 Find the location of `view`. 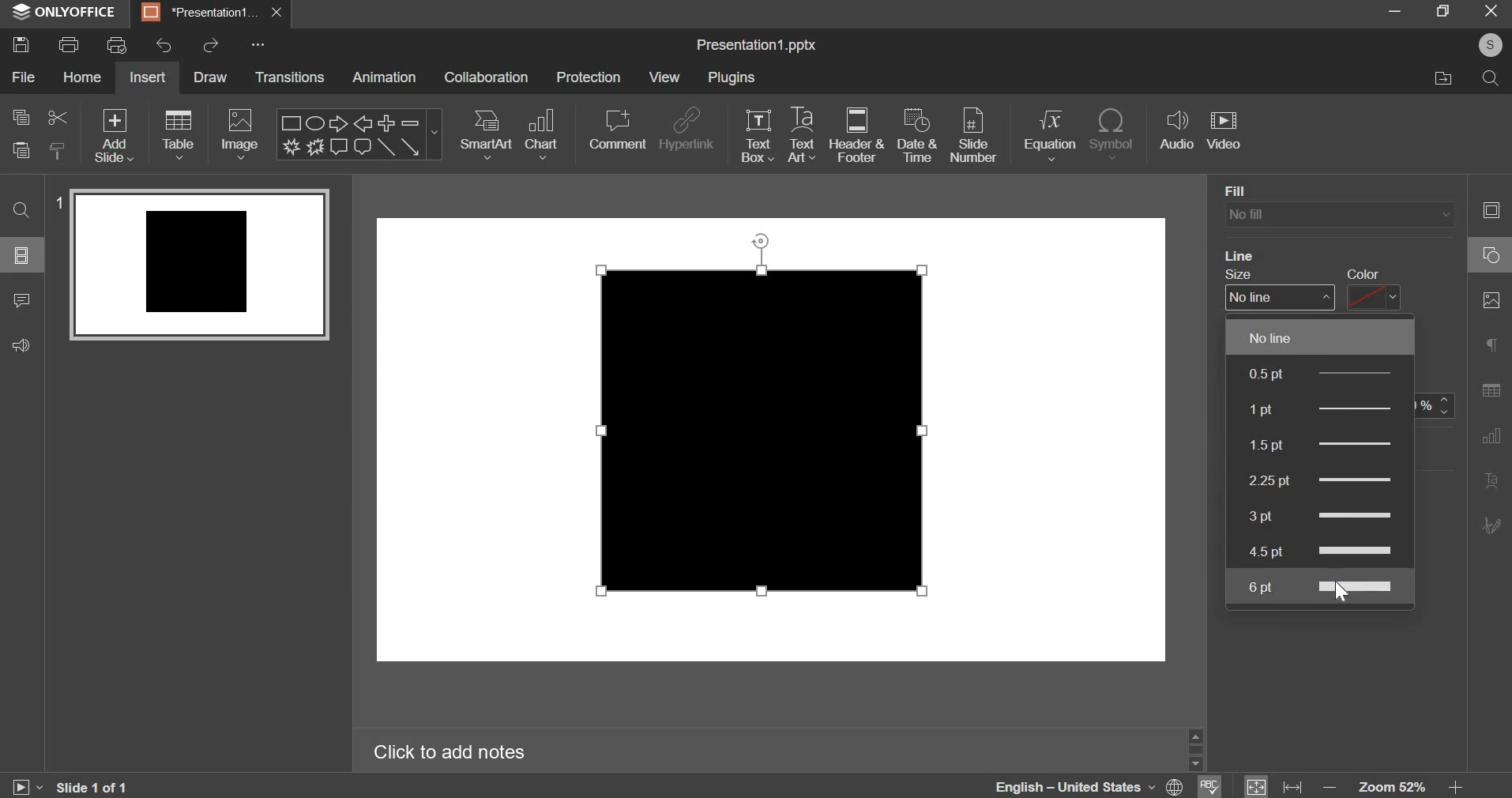

view is located at coordinates (664, 77).